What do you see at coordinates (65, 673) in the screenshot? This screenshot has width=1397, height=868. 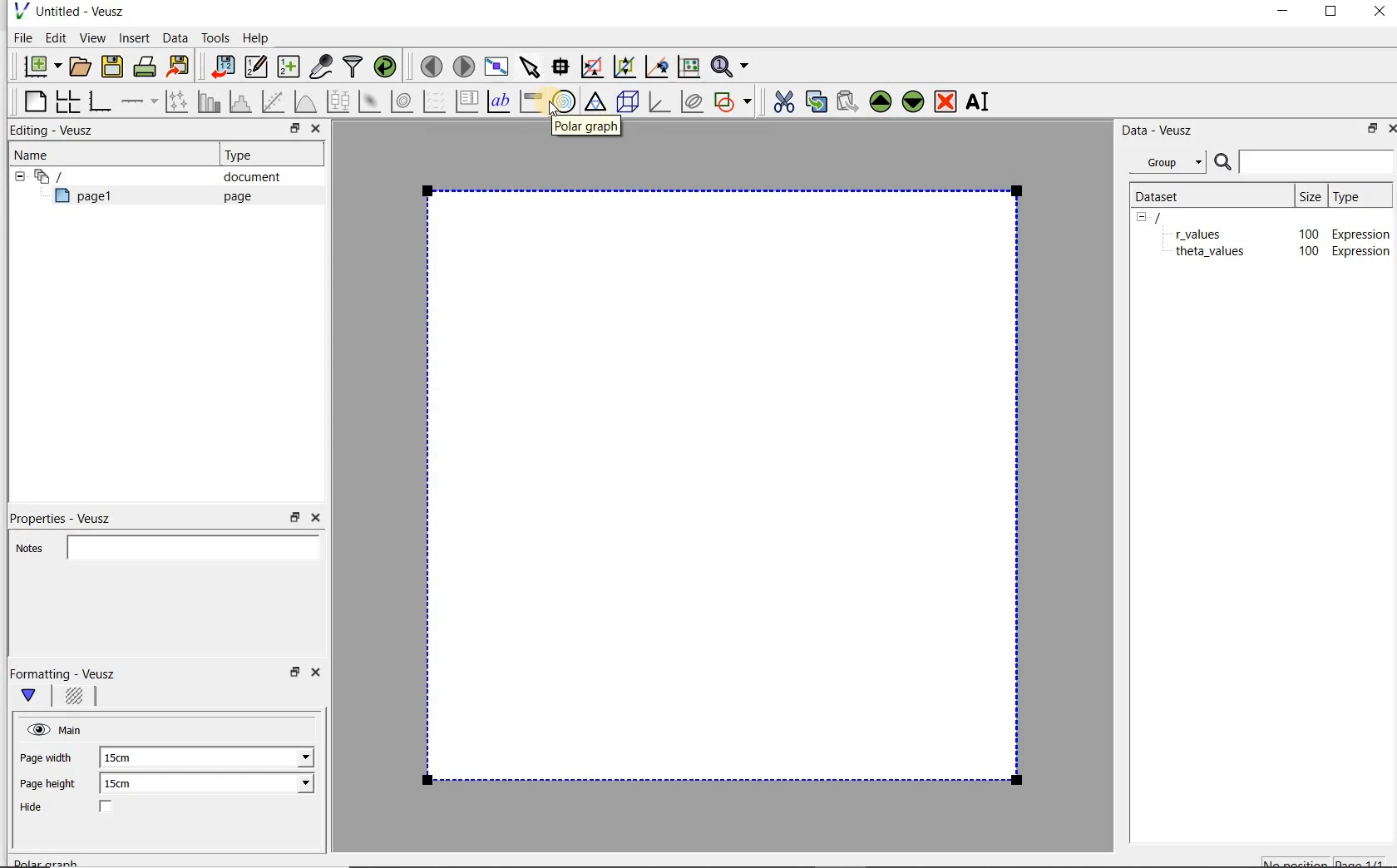 I see `Formatting - Veusz` at bounding box center [65, 673].